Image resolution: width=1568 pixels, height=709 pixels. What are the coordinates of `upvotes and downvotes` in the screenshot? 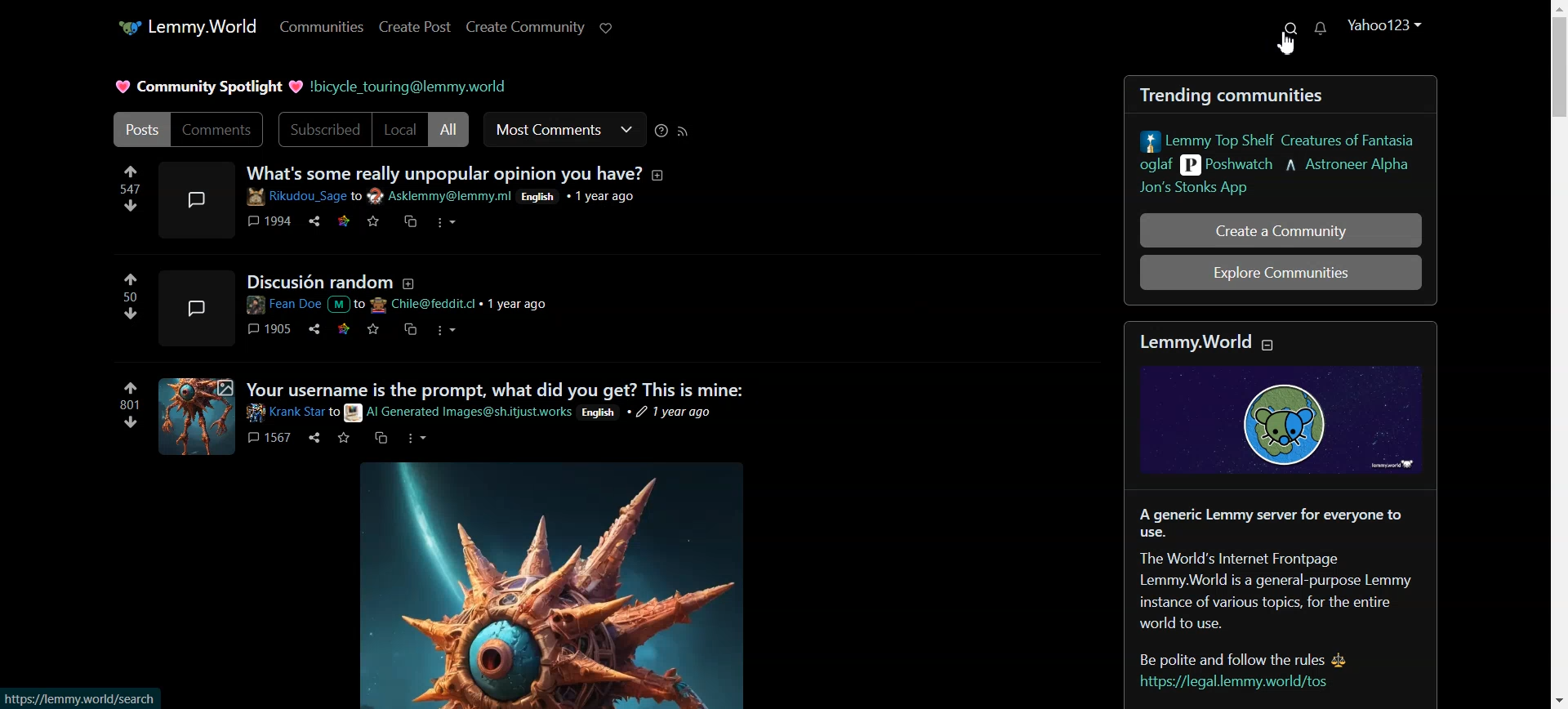 It's located at (129, 190).